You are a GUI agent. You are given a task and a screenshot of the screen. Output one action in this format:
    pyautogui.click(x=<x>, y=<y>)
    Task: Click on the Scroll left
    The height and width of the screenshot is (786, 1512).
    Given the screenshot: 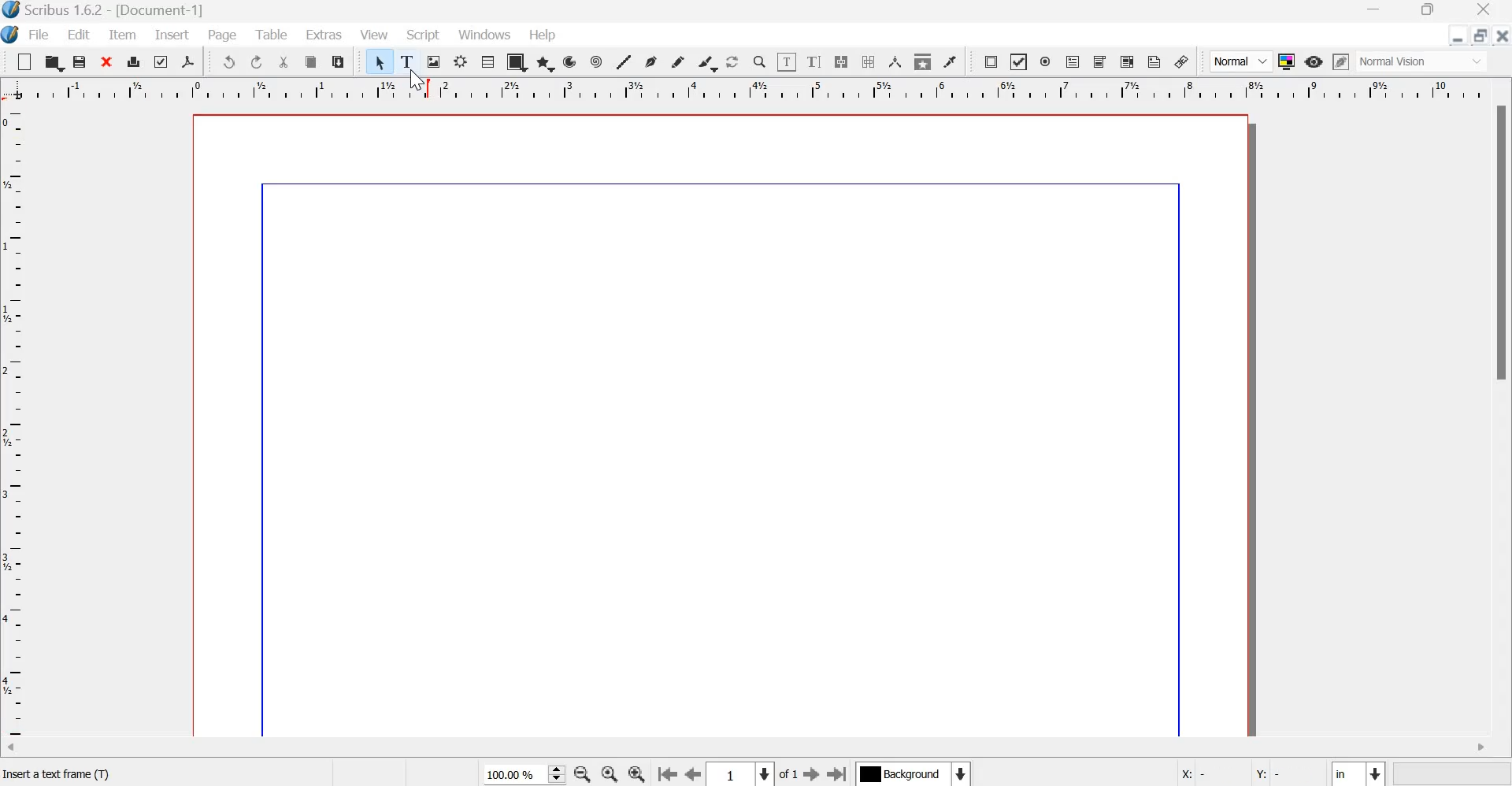 What is the action you would take?
    pyautogui.click(x=24, y=750)
    